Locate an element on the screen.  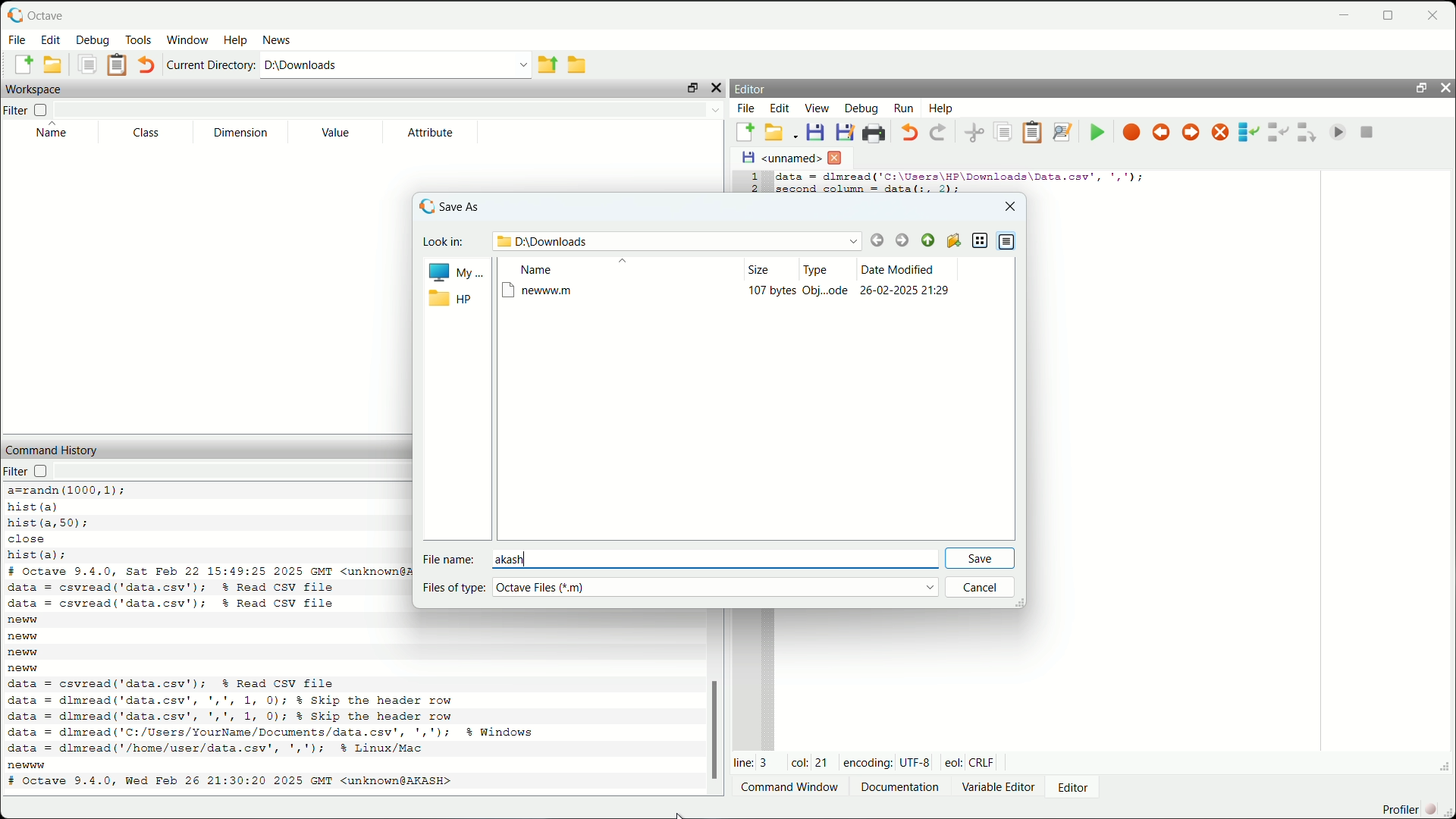
new is located at coordinates (35, 766).